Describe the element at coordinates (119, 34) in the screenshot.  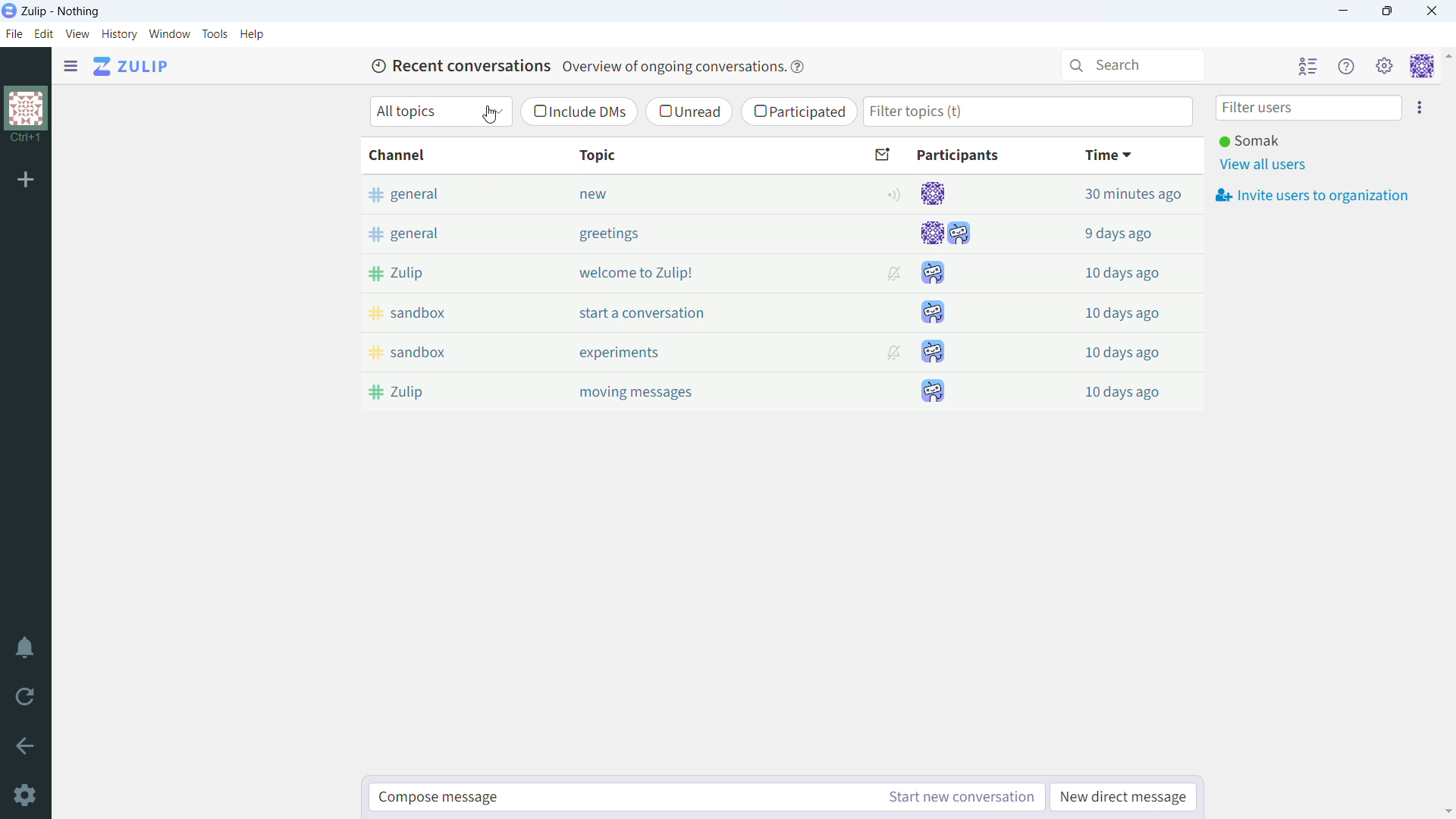
I see `history` at that location.